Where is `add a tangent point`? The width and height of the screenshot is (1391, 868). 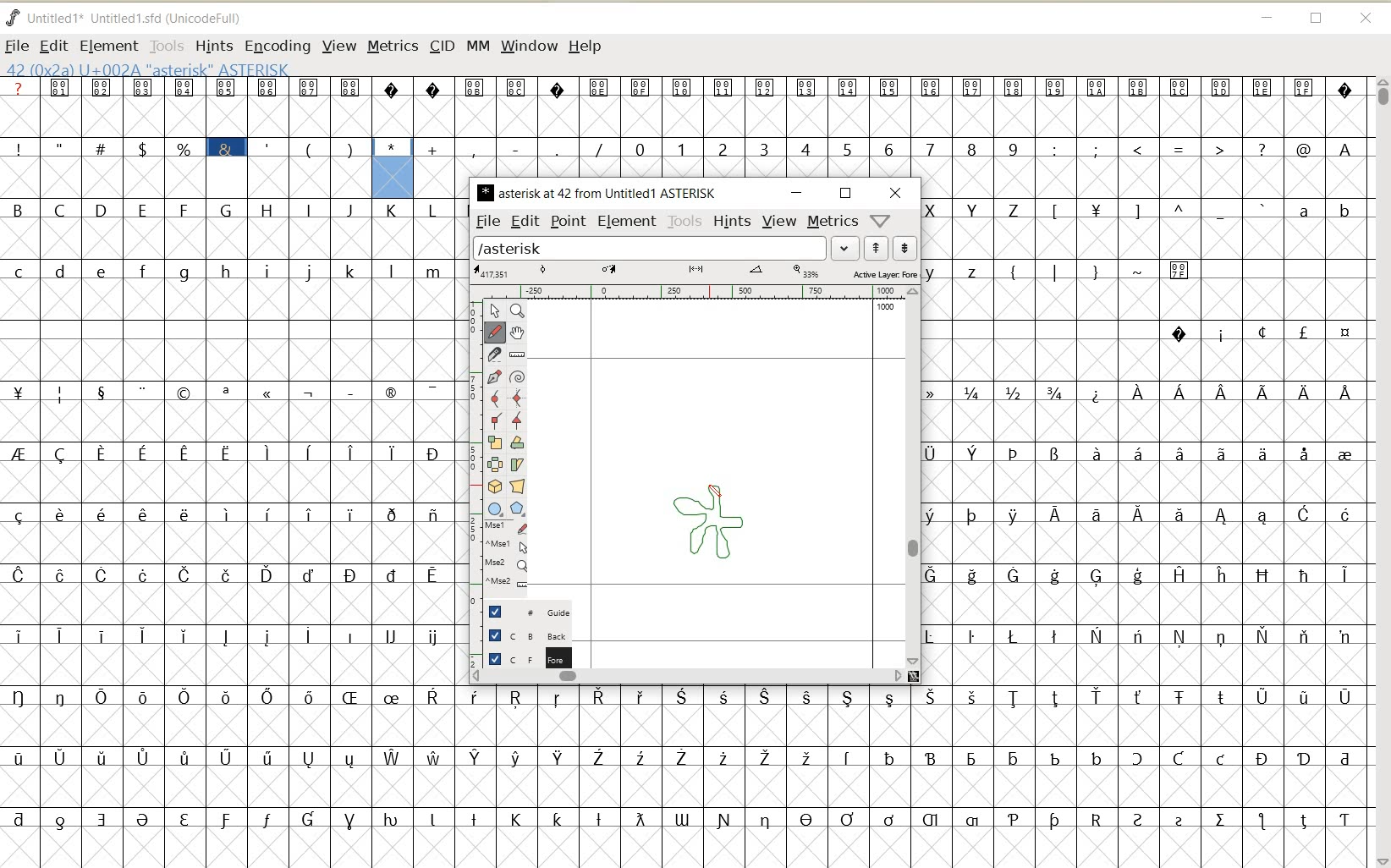
add a tangent point is located at coordinates (518, 419).